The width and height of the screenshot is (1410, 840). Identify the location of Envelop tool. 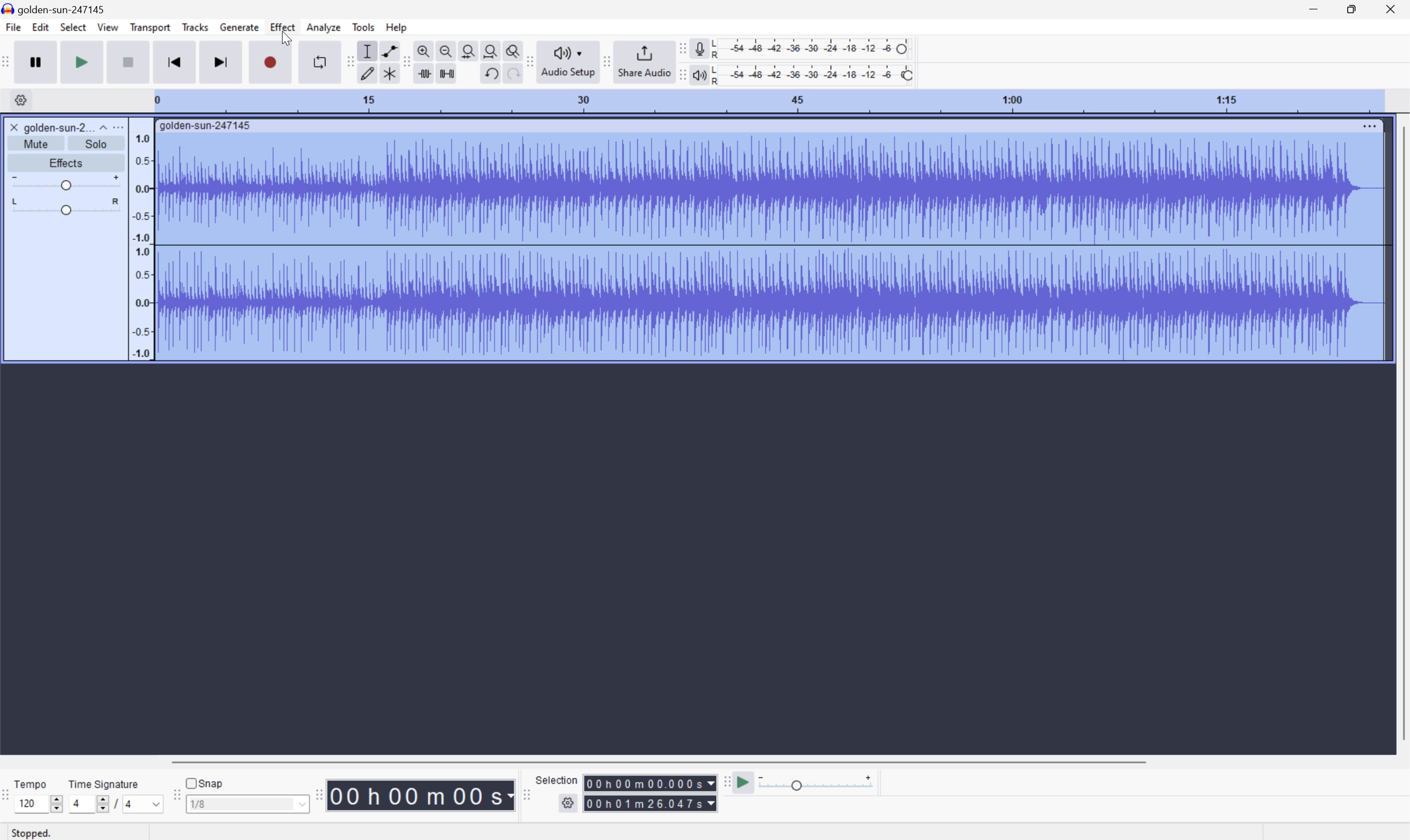
(387, 50).